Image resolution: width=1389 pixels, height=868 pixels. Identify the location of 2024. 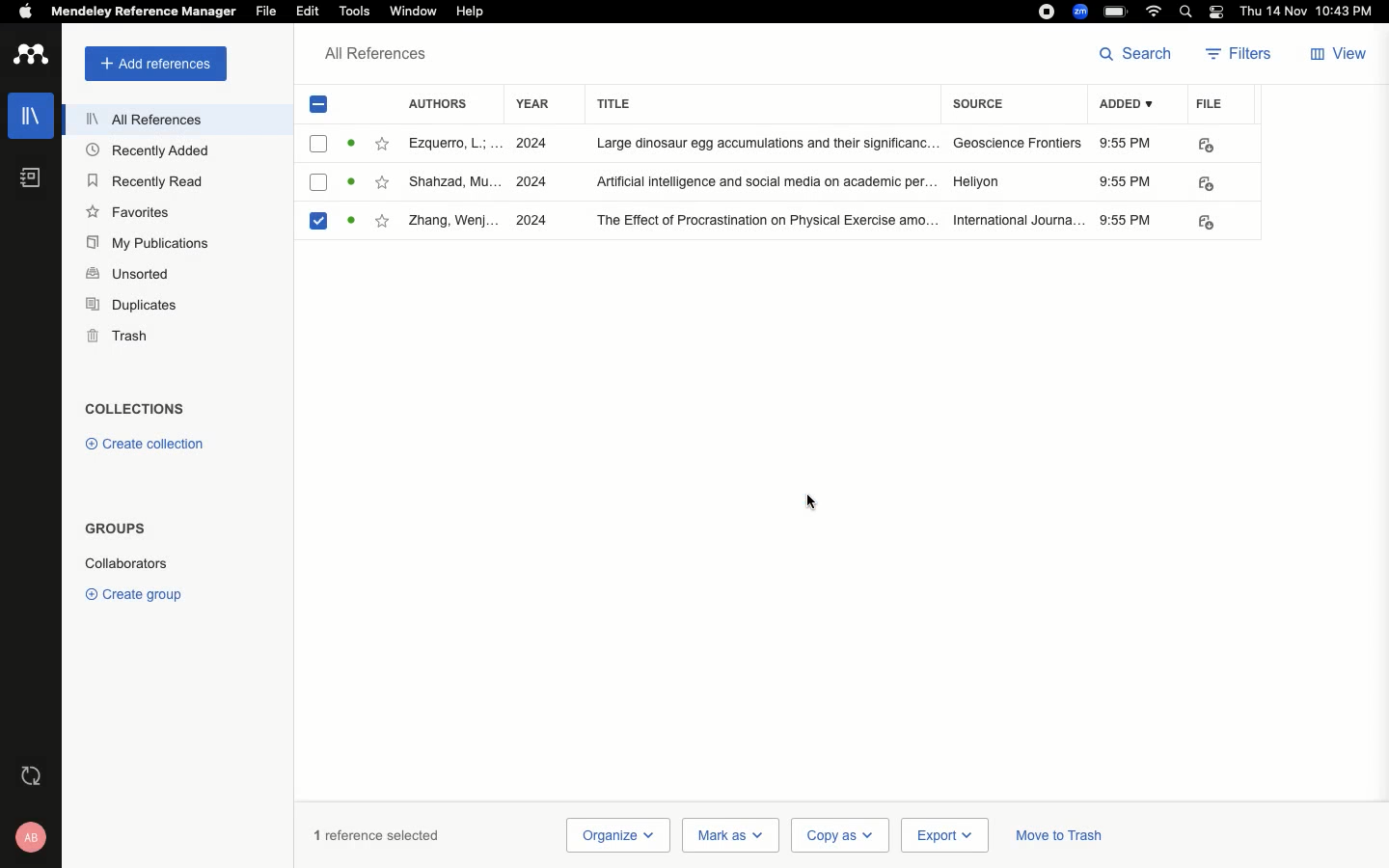
(535, 220).